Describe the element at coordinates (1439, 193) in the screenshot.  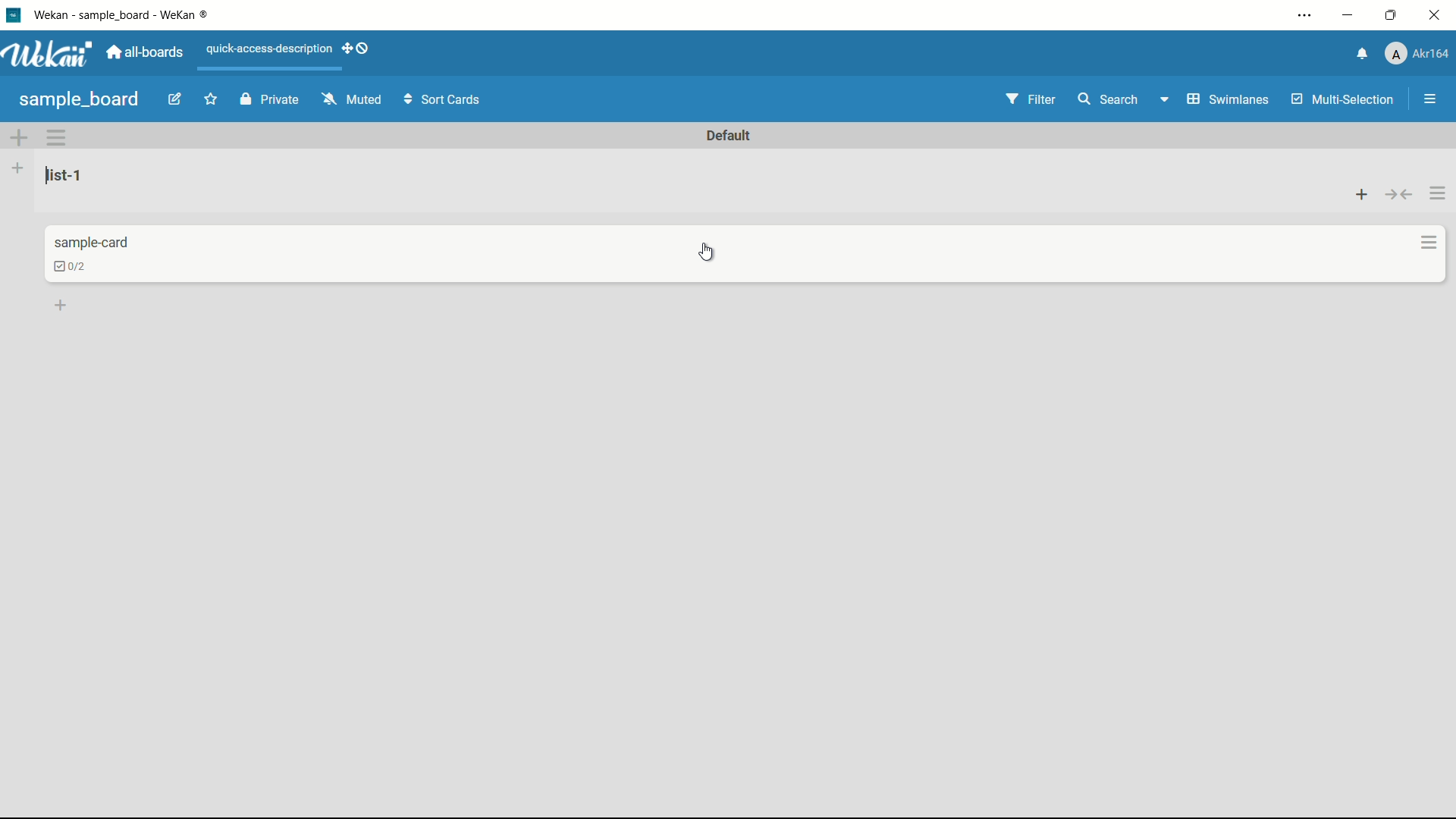
I see `list actions` at that location.